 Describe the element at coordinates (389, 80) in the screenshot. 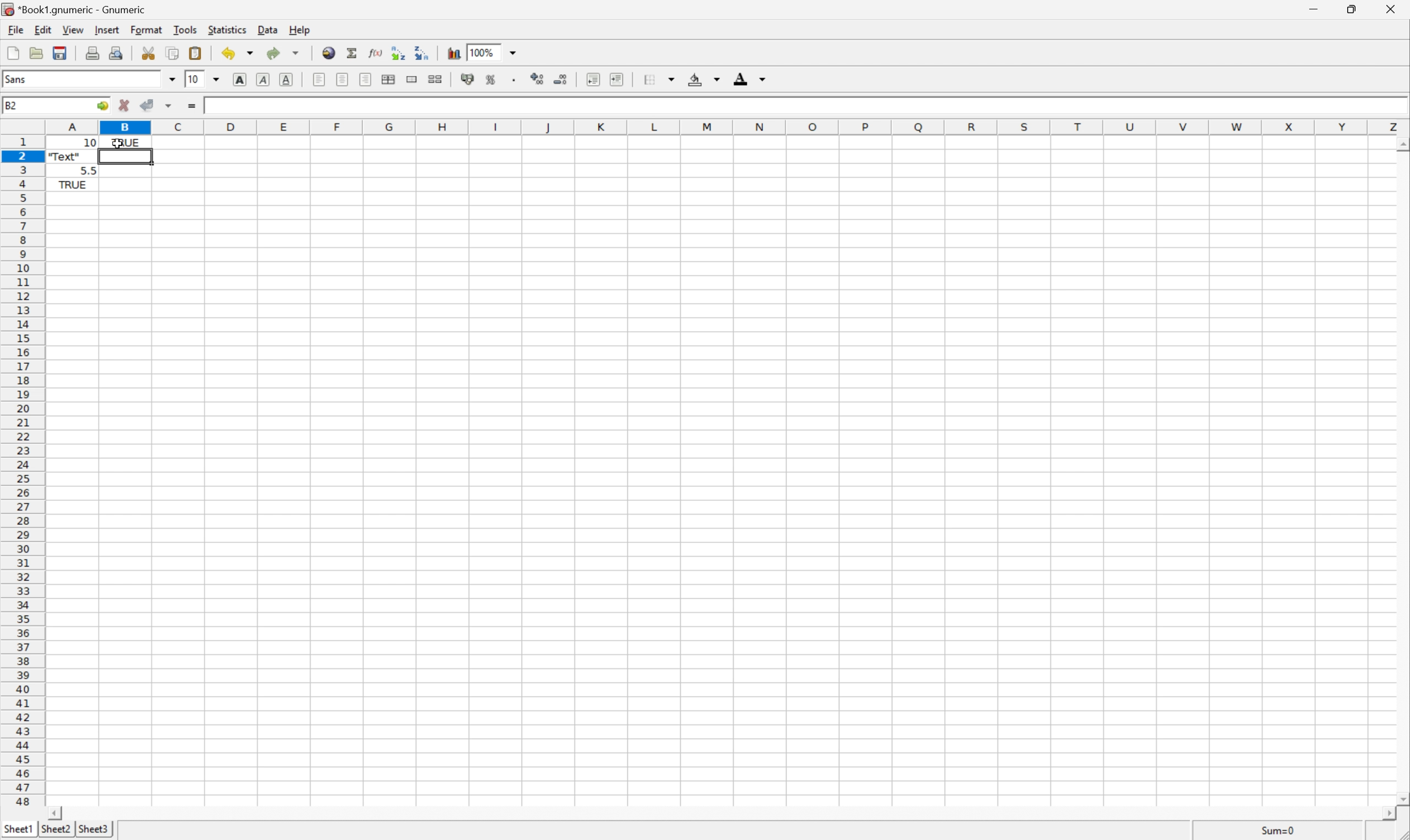

I see ` Center horizontally across selection` at that location.